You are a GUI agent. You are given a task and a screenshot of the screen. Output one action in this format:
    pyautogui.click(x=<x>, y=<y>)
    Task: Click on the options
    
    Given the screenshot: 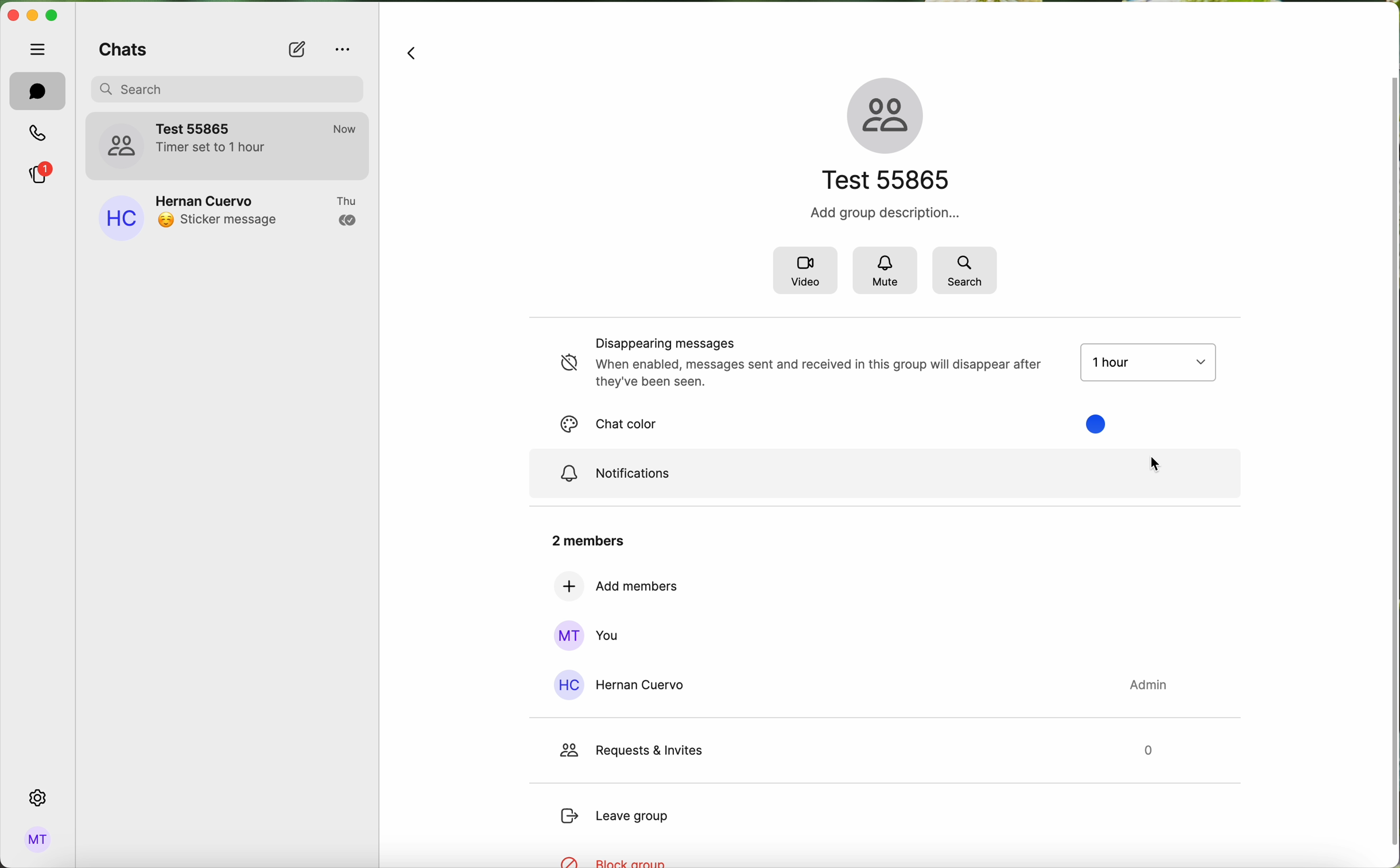 What is the action you would take?
    pyautogui.click(x=341, y=51)
    